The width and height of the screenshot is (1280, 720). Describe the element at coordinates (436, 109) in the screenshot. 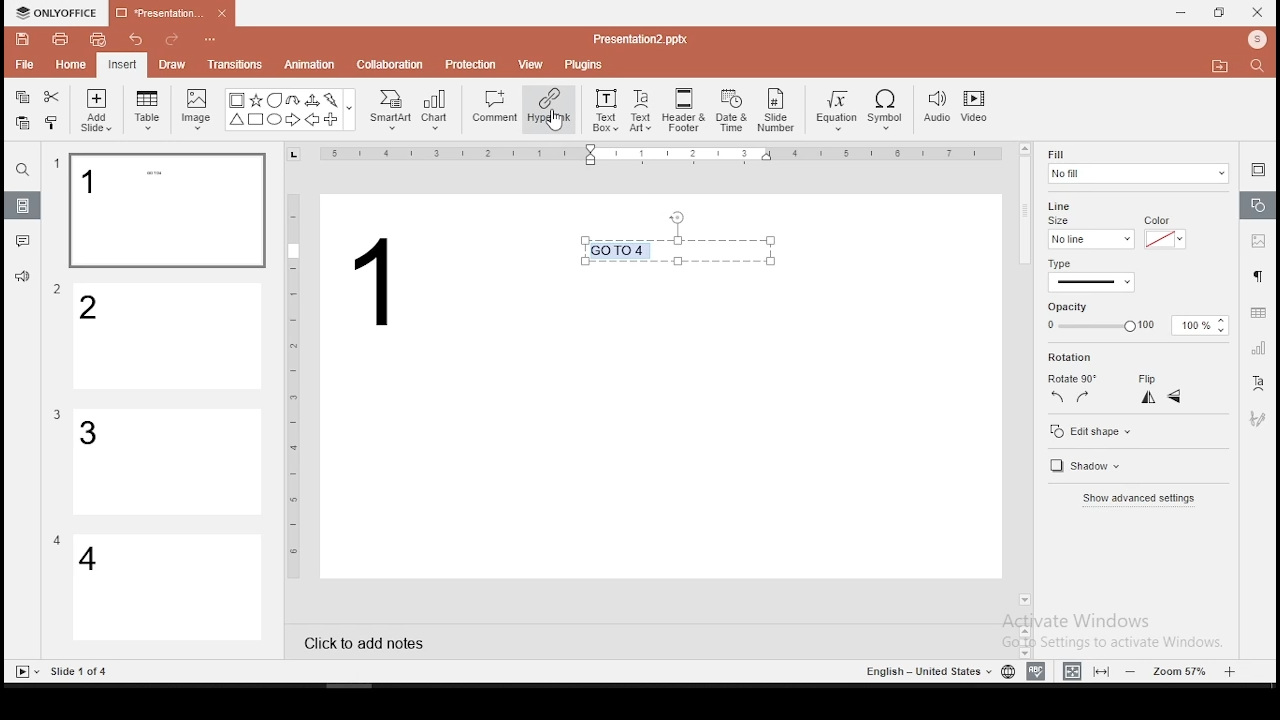

I see `chart` at that location.